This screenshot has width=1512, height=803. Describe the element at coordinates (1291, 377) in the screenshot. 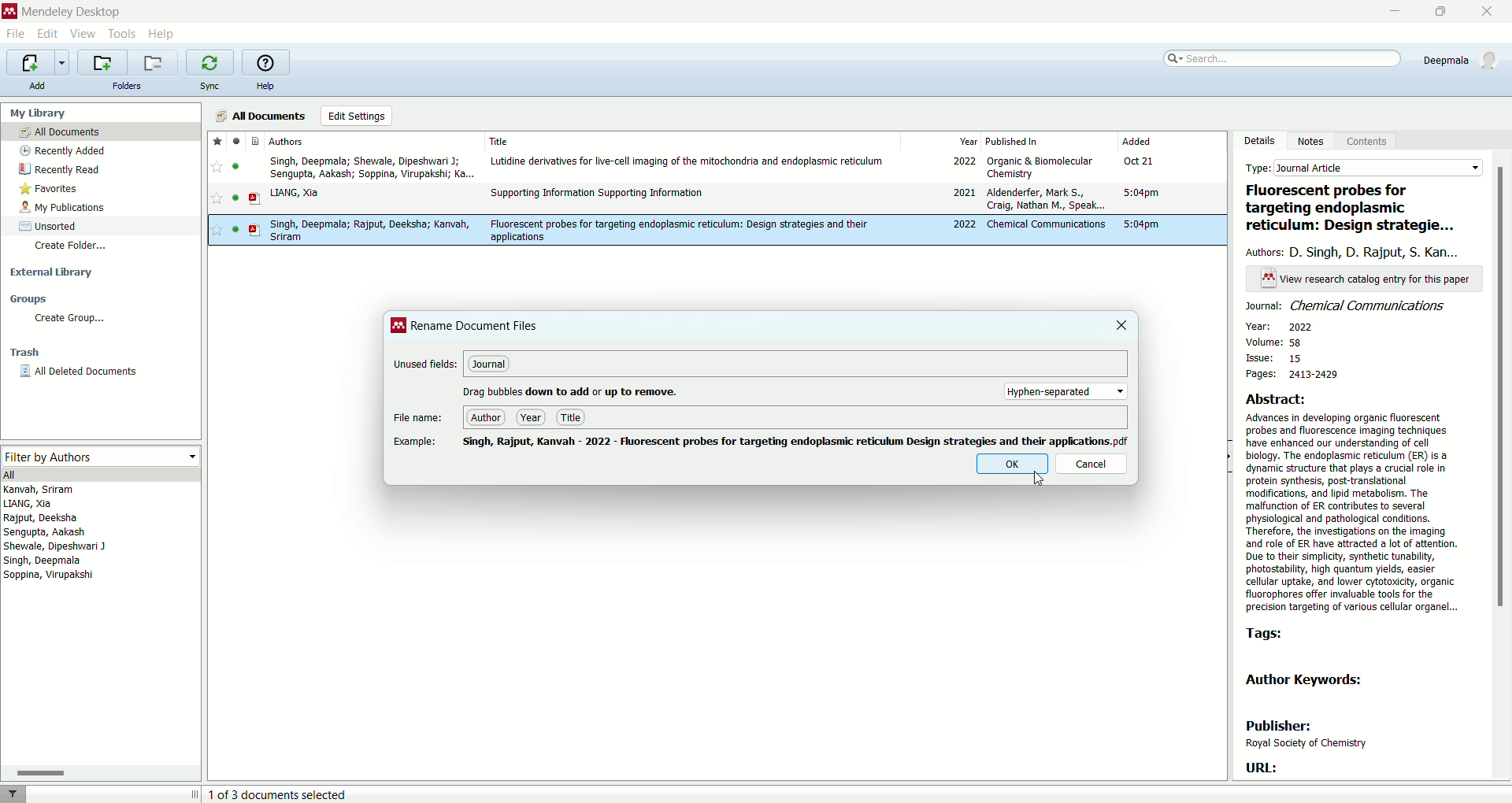

I see `pages` at that location.